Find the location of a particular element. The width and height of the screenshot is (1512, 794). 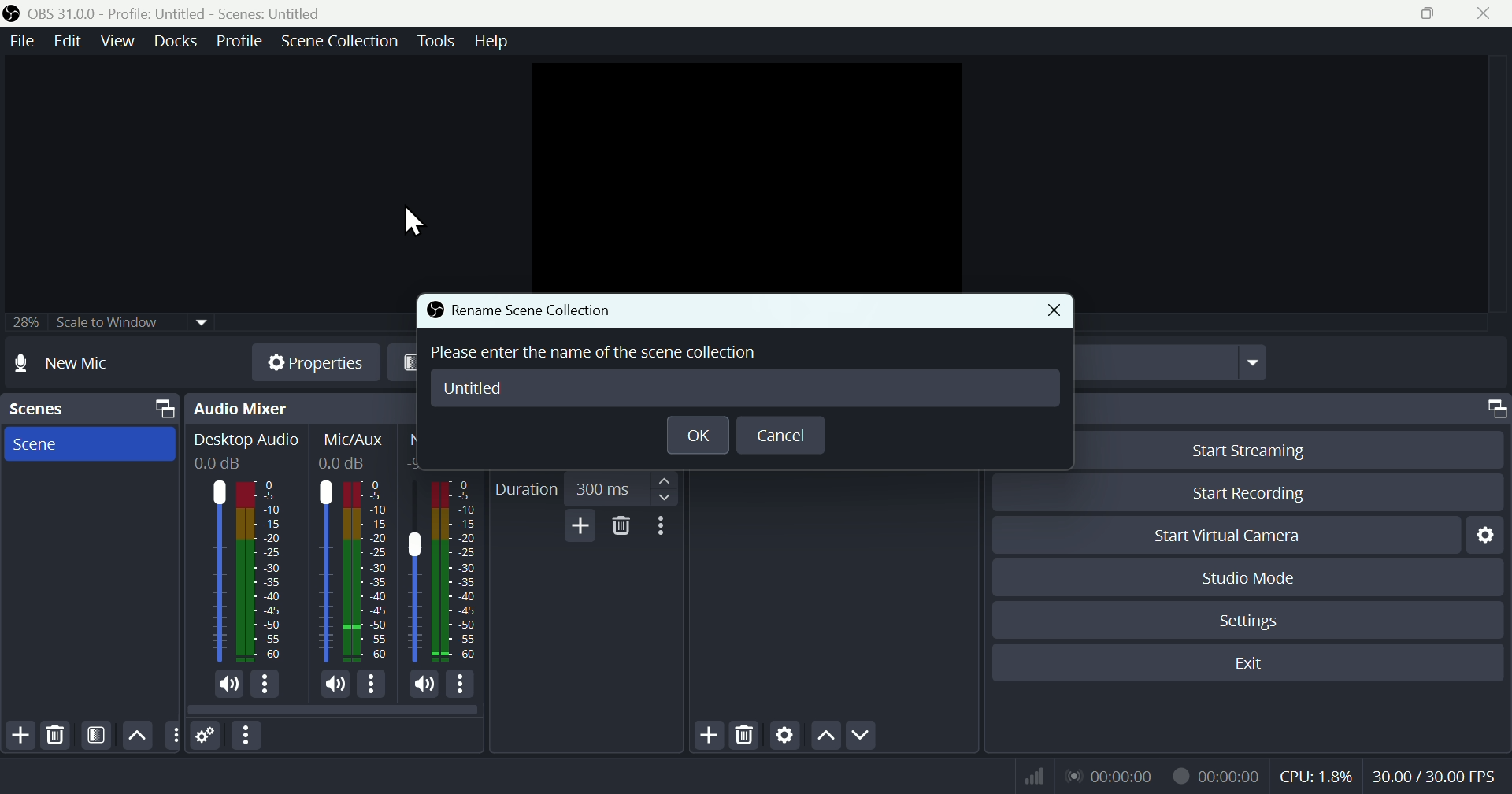

View is located at coordinates (113, 45).